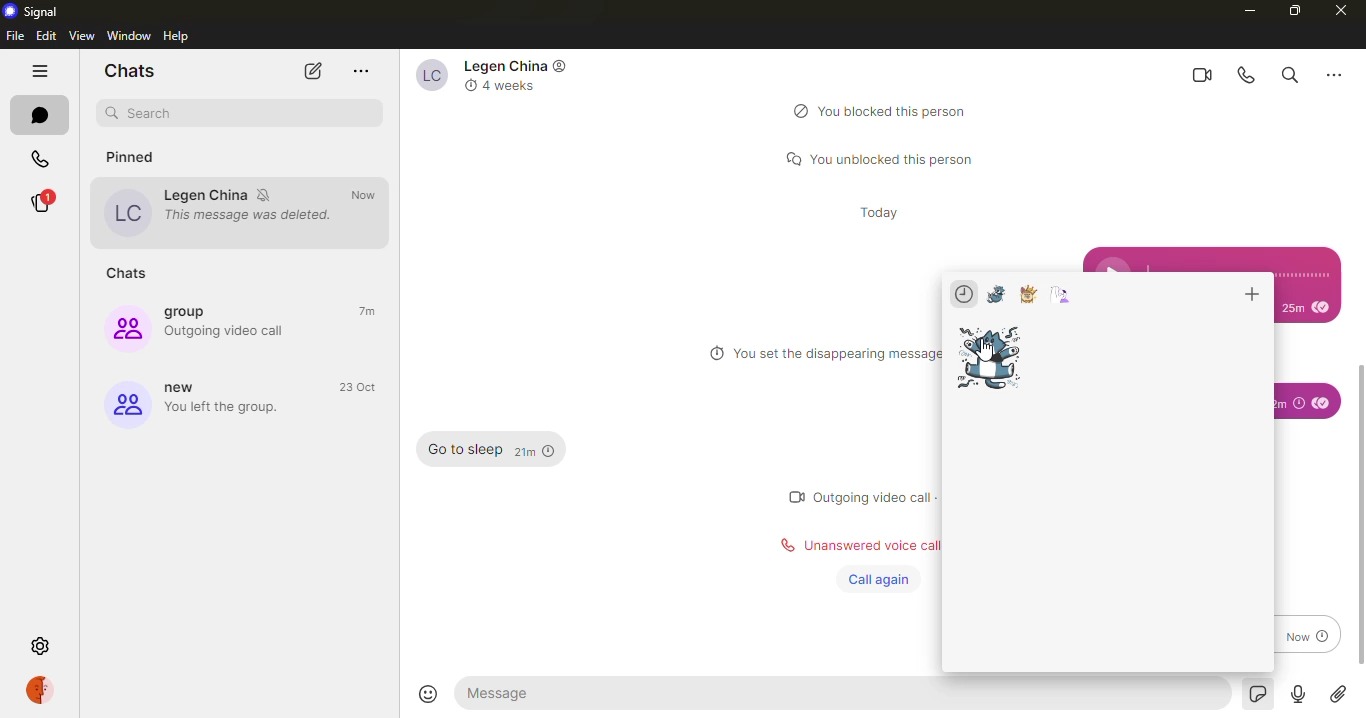 The image size is (1366, 718). What do you see at coordinates (1246, 75) in the screenshot?
I see `voice call` at bounding box center [1246, 75].